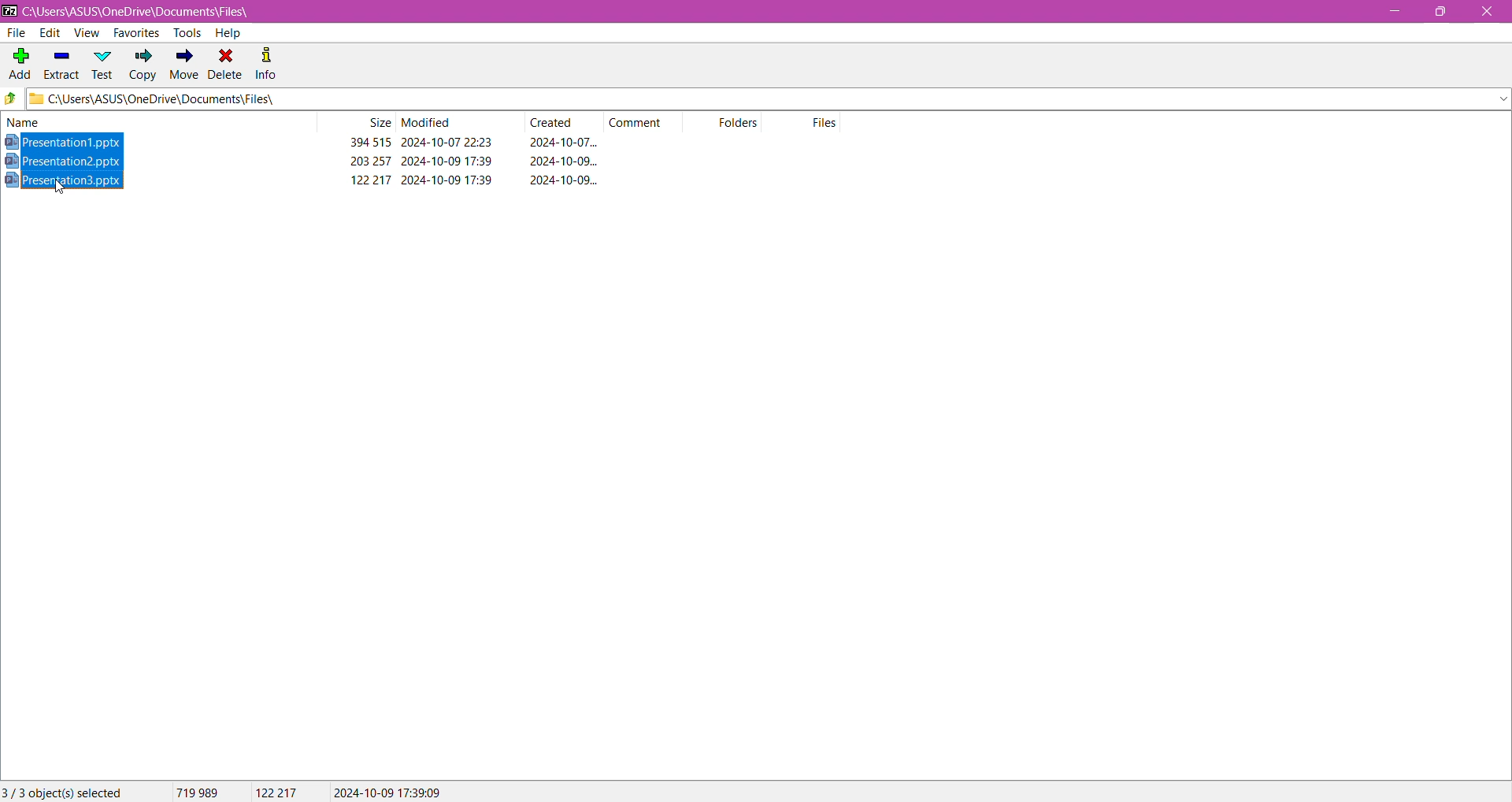  What do you see at coordinates (19, 59) in the screenshot?
I see `Add` at bounding box center [19, 59].